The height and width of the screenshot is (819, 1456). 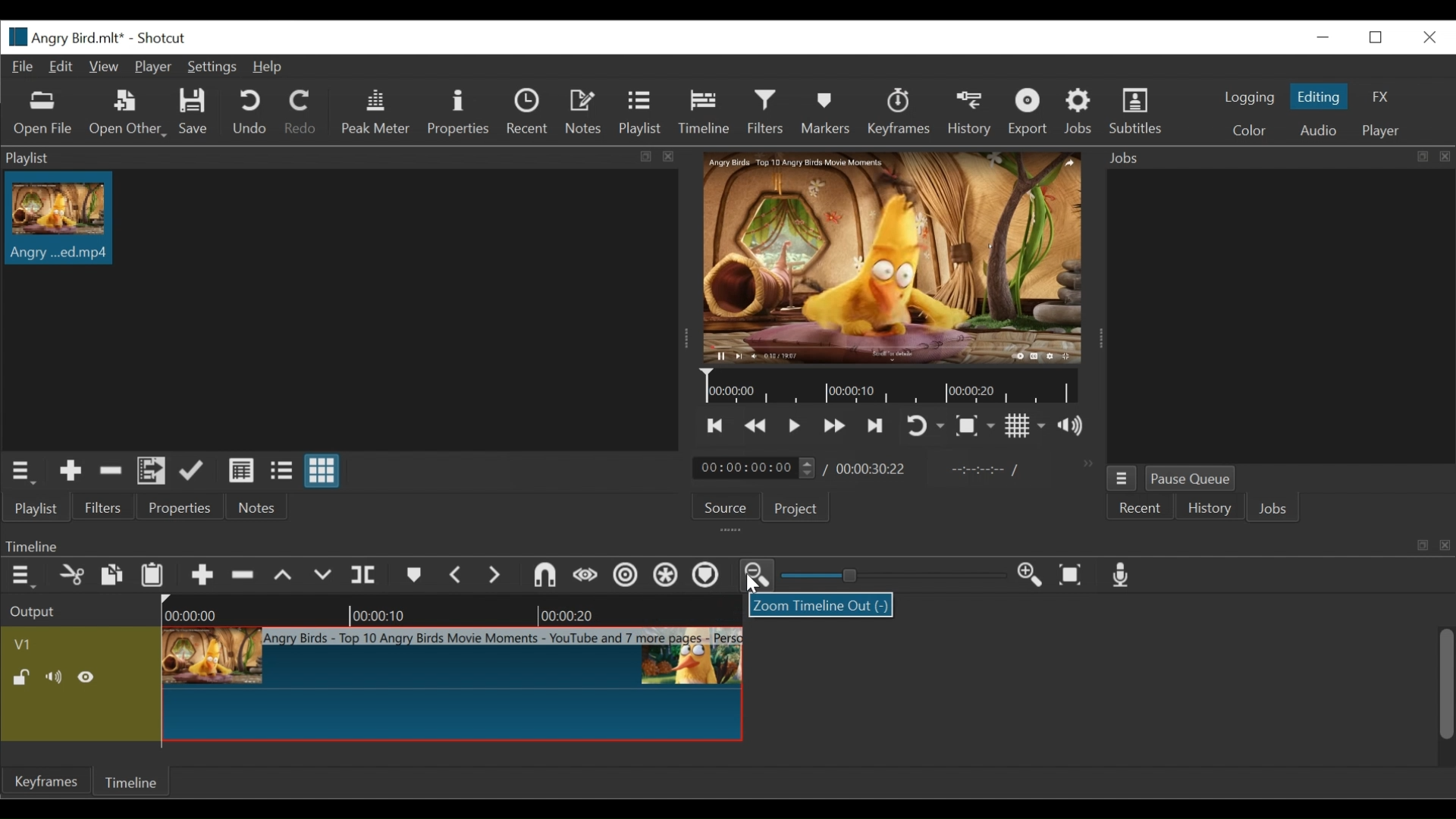 What do you see at coordinates (629, 577) in the screenshot?
I see `Rippl` at bounding box center [629, 577].